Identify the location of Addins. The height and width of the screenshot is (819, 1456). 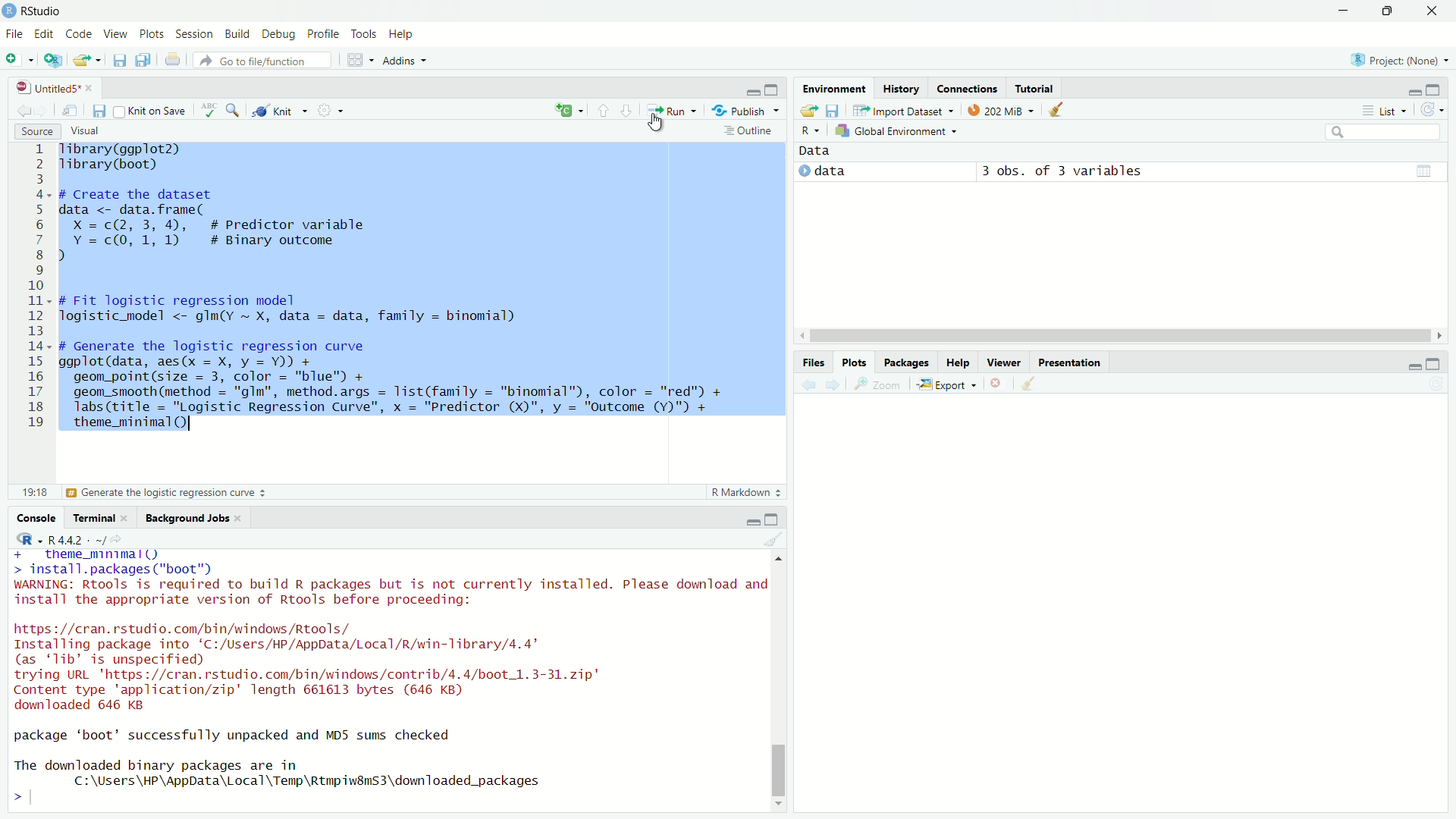
(406, 60).